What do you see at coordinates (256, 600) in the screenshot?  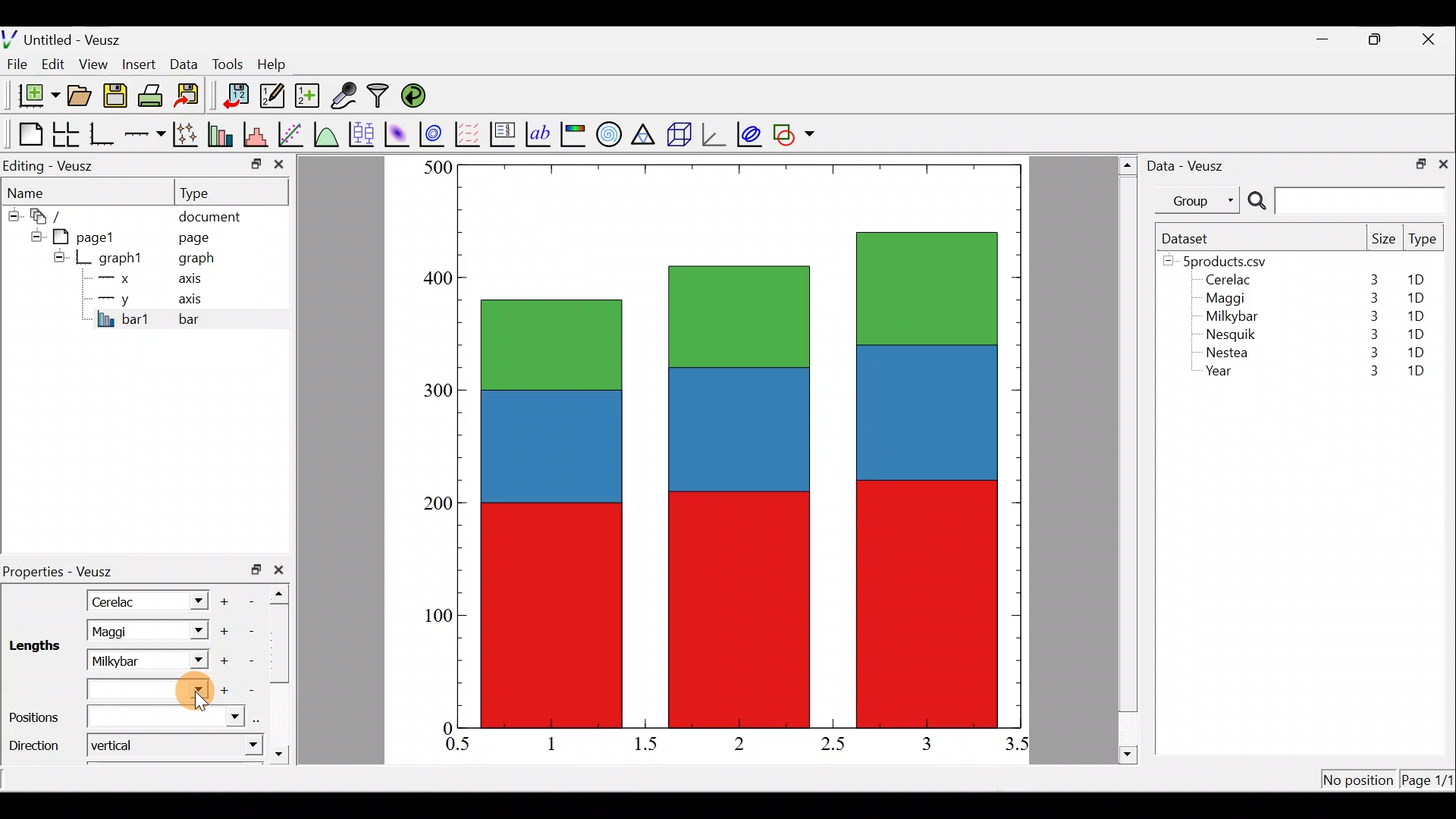 I see `Remove item` at bounding box center [256, 600].